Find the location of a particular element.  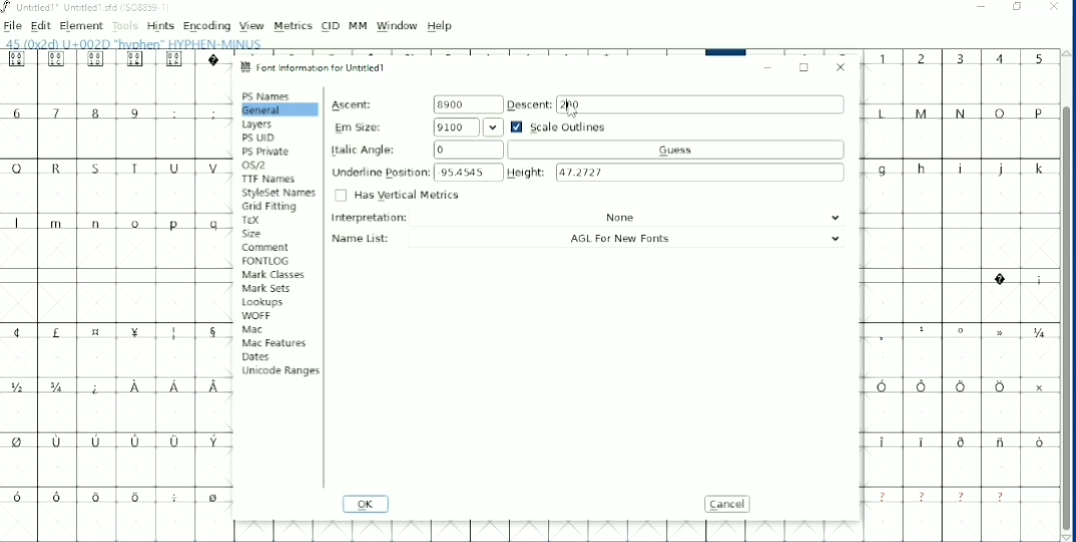

Letter info is located at coordinates (141, 43).